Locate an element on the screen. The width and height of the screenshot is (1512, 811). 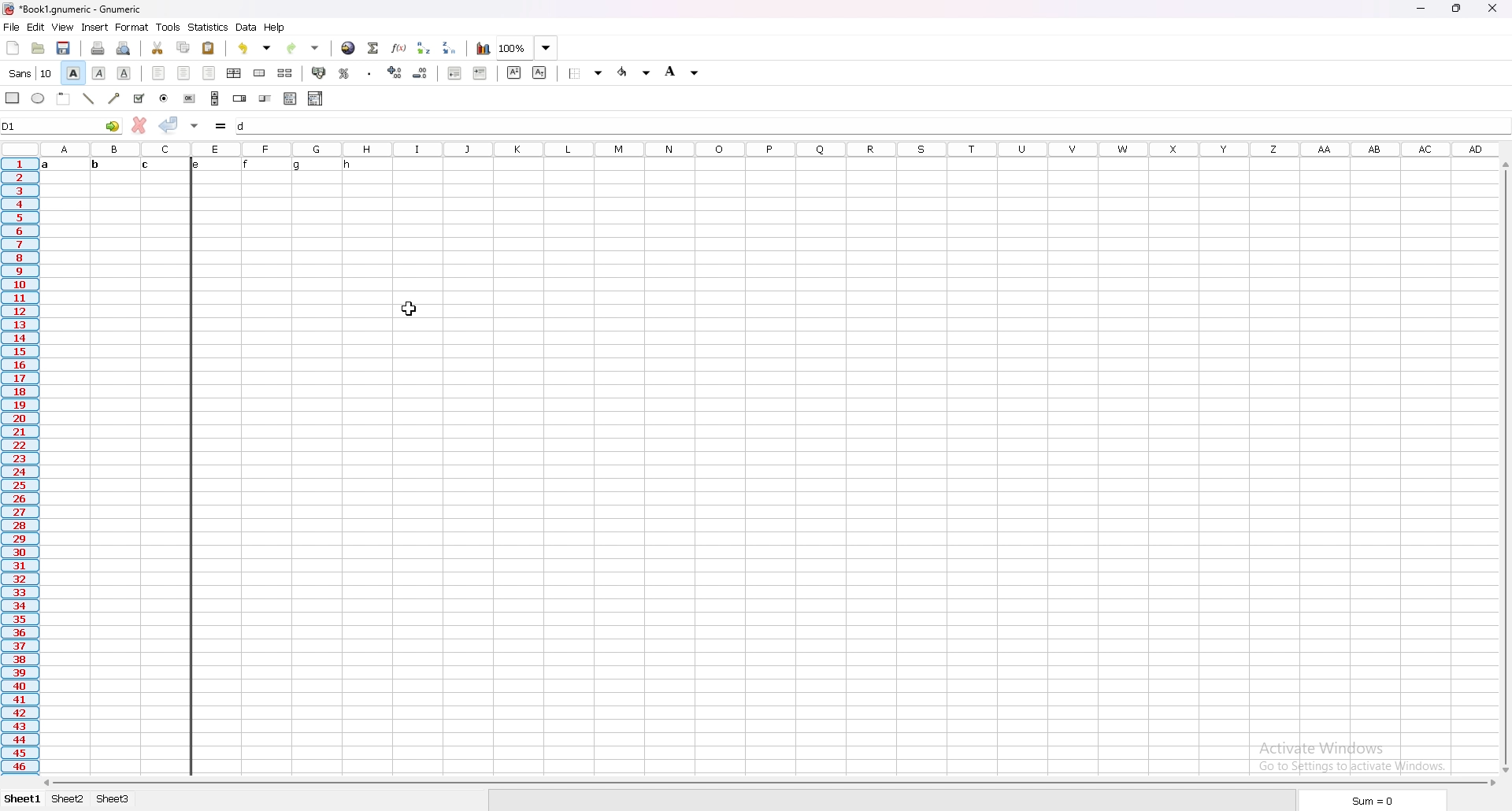
summation is located at coordinates (374, 48).